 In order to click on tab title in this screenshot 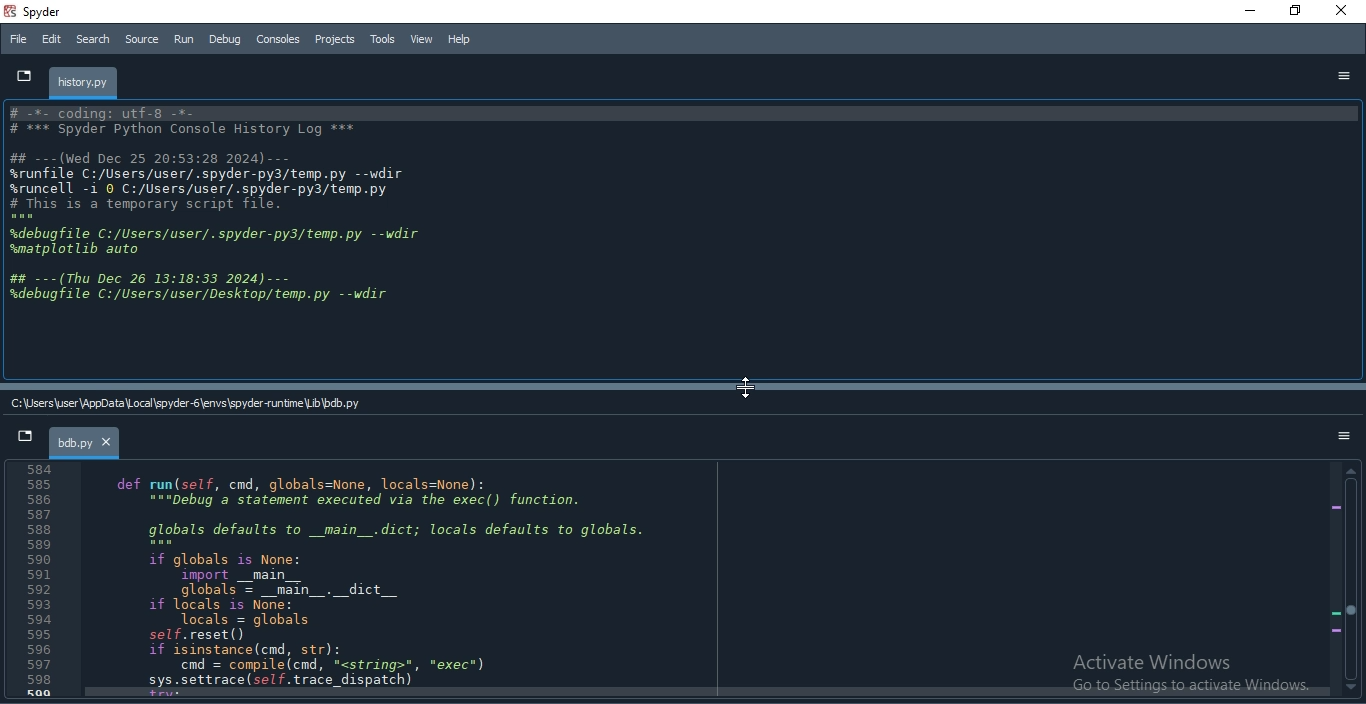, I will do `click(85, 83)`.